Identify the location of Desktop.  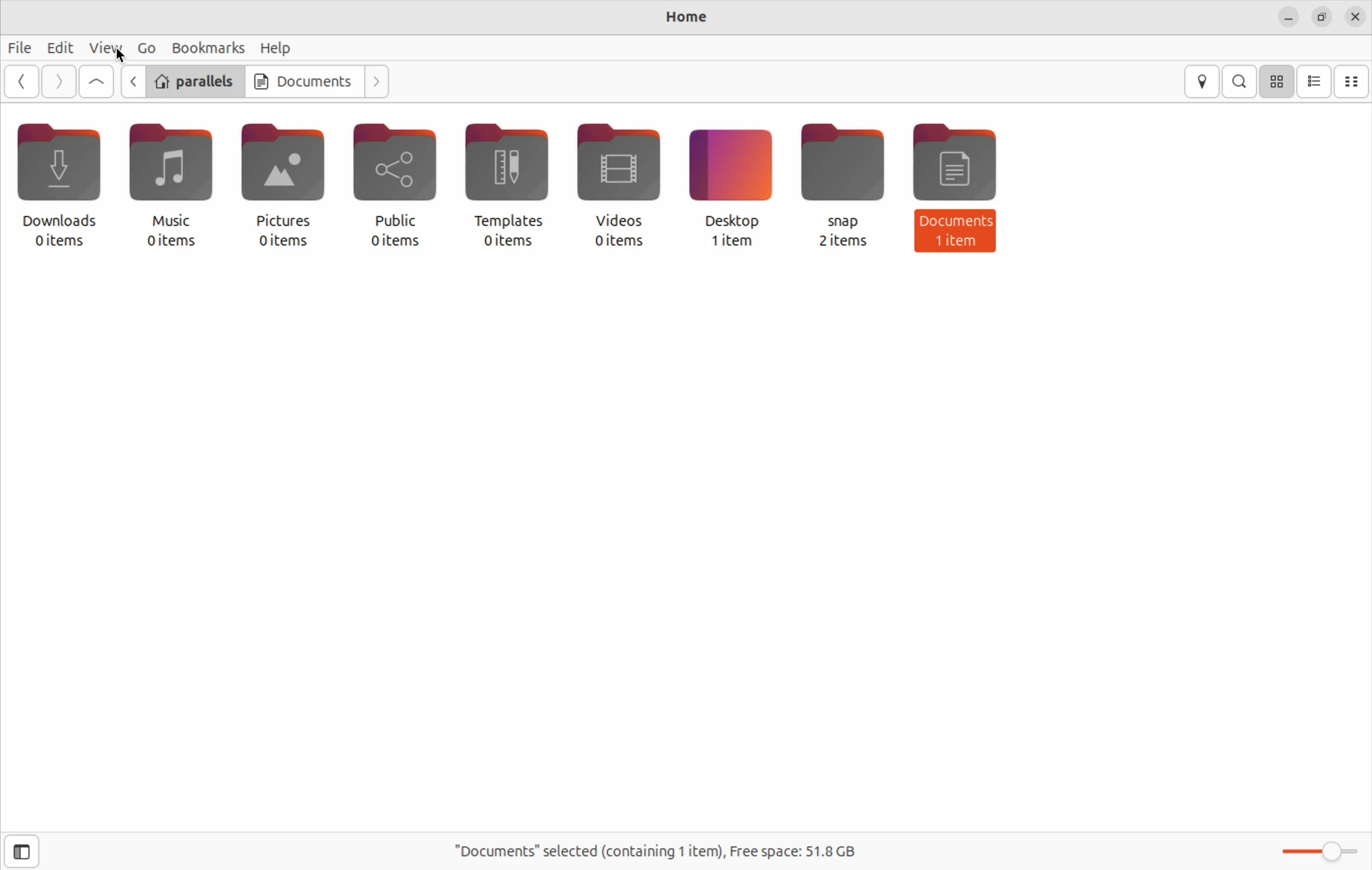
(729, 173).